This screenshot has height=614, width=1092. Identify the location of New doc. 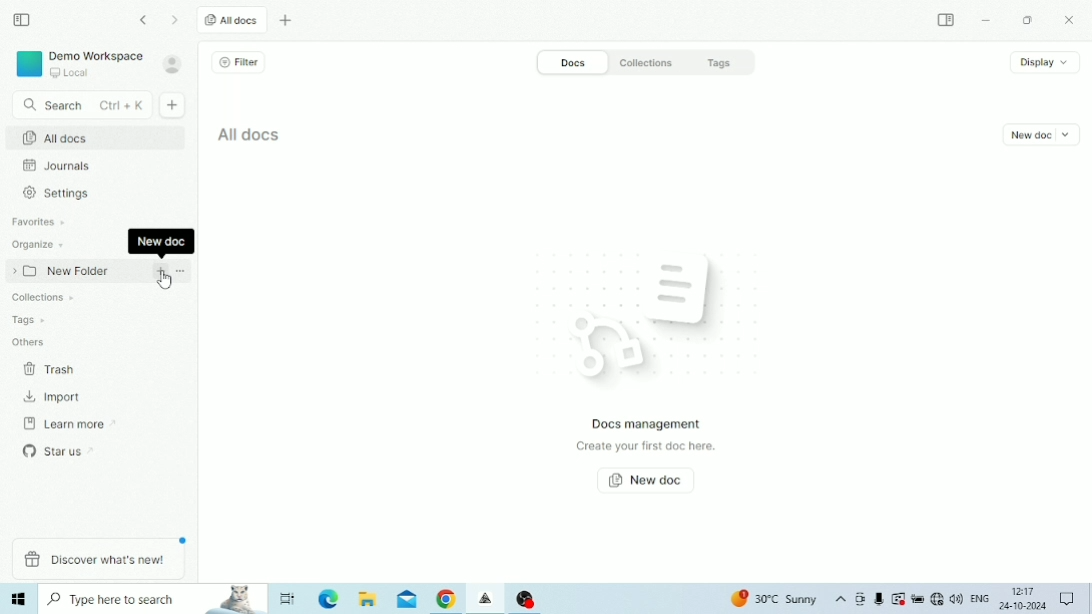
(162, 271).